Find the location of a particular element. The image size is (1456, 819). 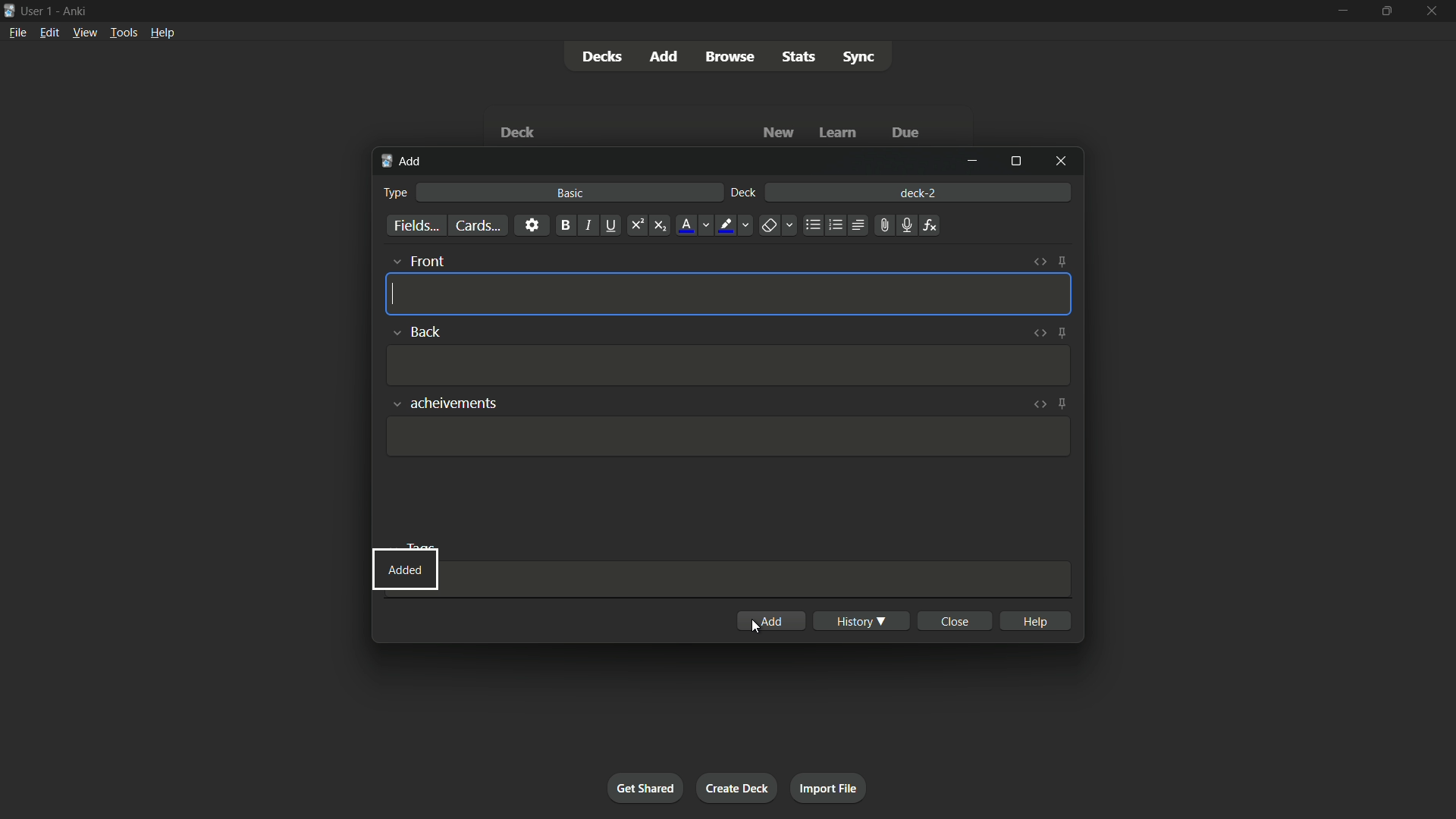

stats is located at coordinates (802, 58).